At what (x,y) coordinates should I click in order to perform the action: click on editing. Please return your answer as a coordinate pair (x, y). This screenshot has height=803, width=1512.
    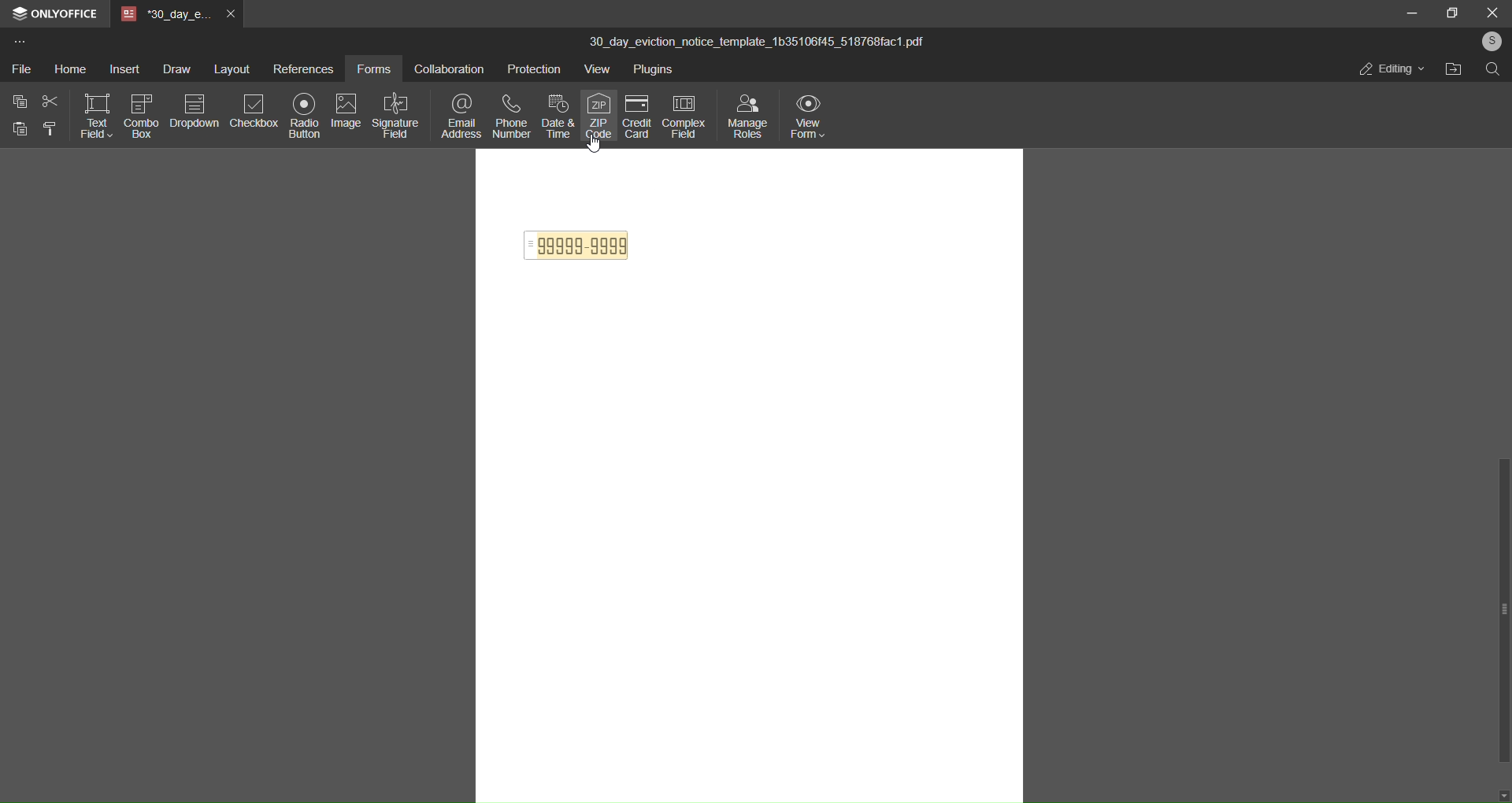
    Looking at the image, I should click on (1384, 70).